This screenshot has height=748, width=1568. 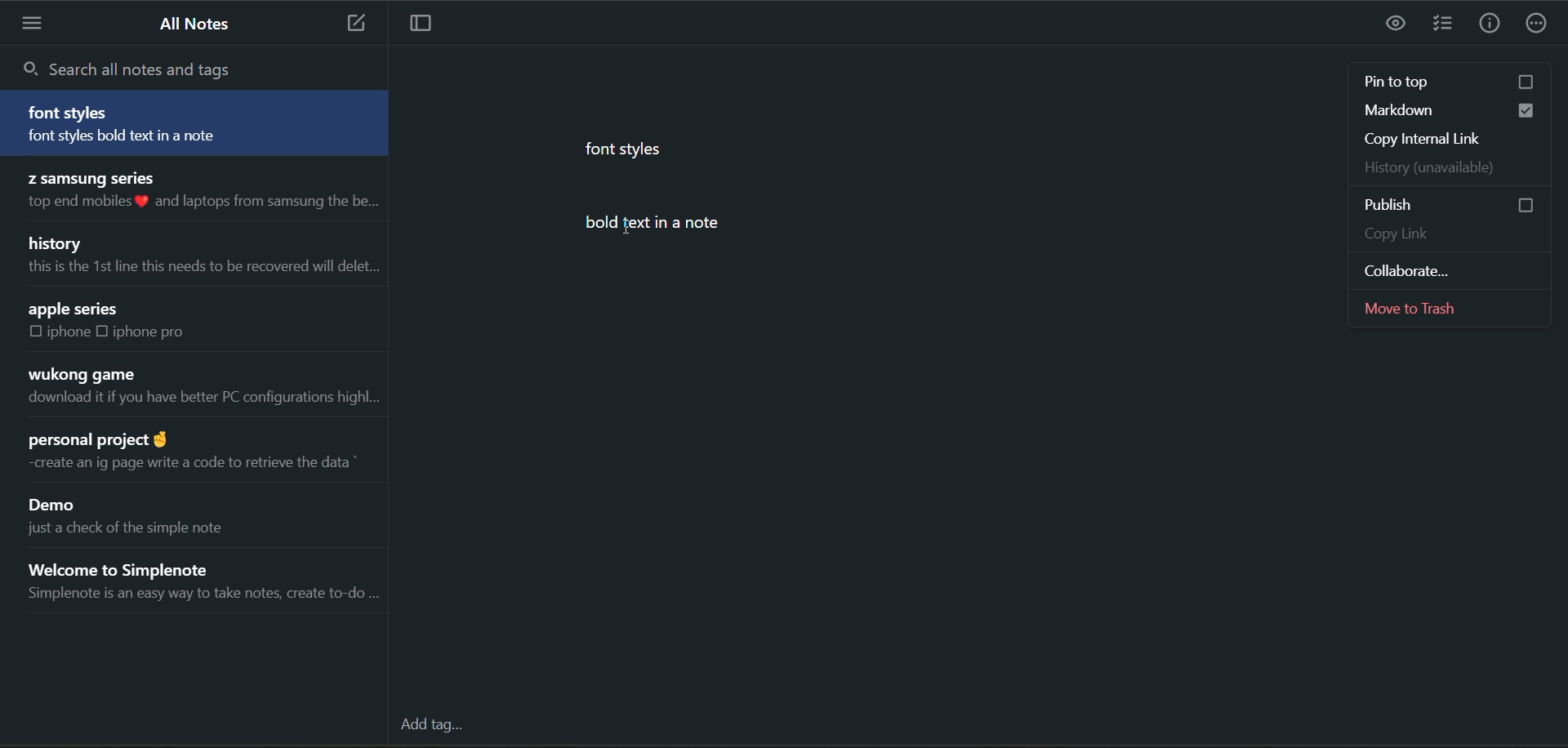 What do you see at coordinates (106, 331) in the screenshot?
I see `checkbox` at bounding box center [106, 331].